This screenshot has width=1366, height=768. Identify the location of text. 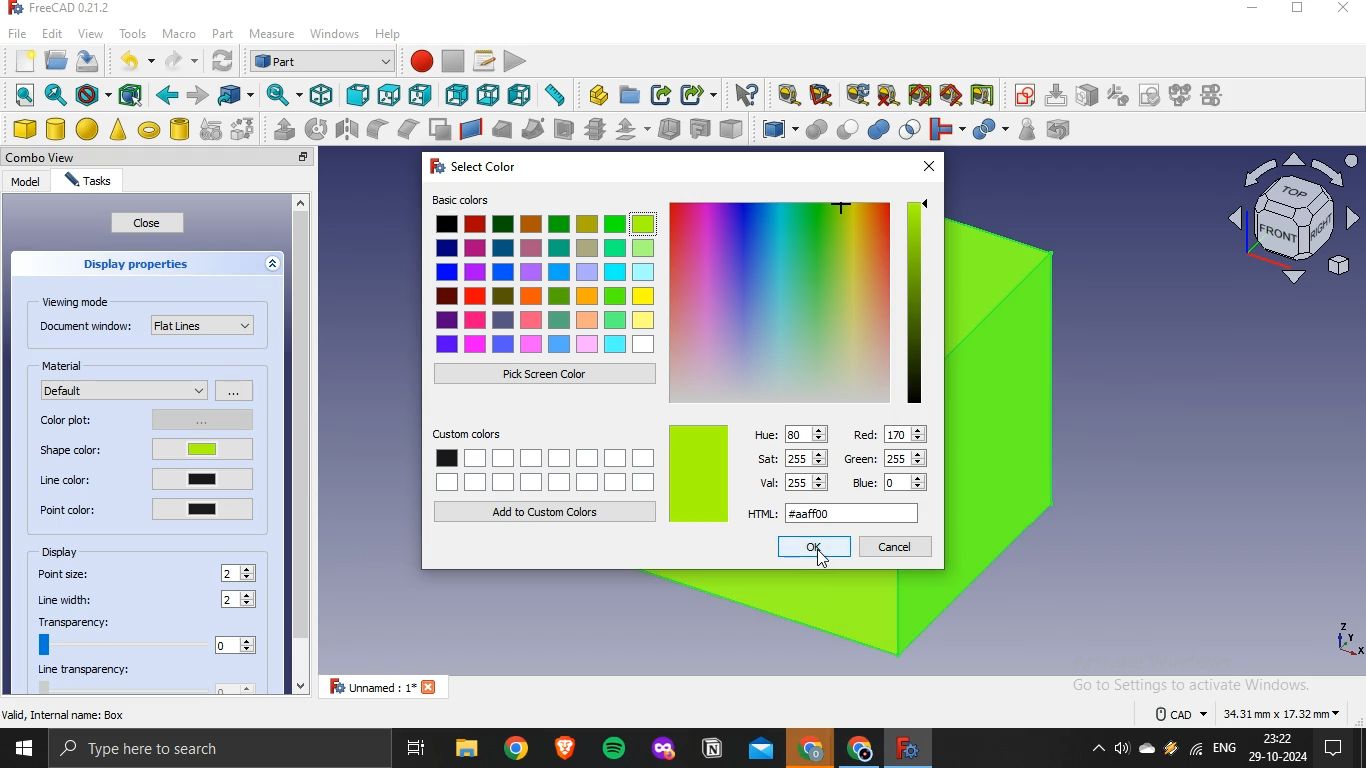
(1249, 711).